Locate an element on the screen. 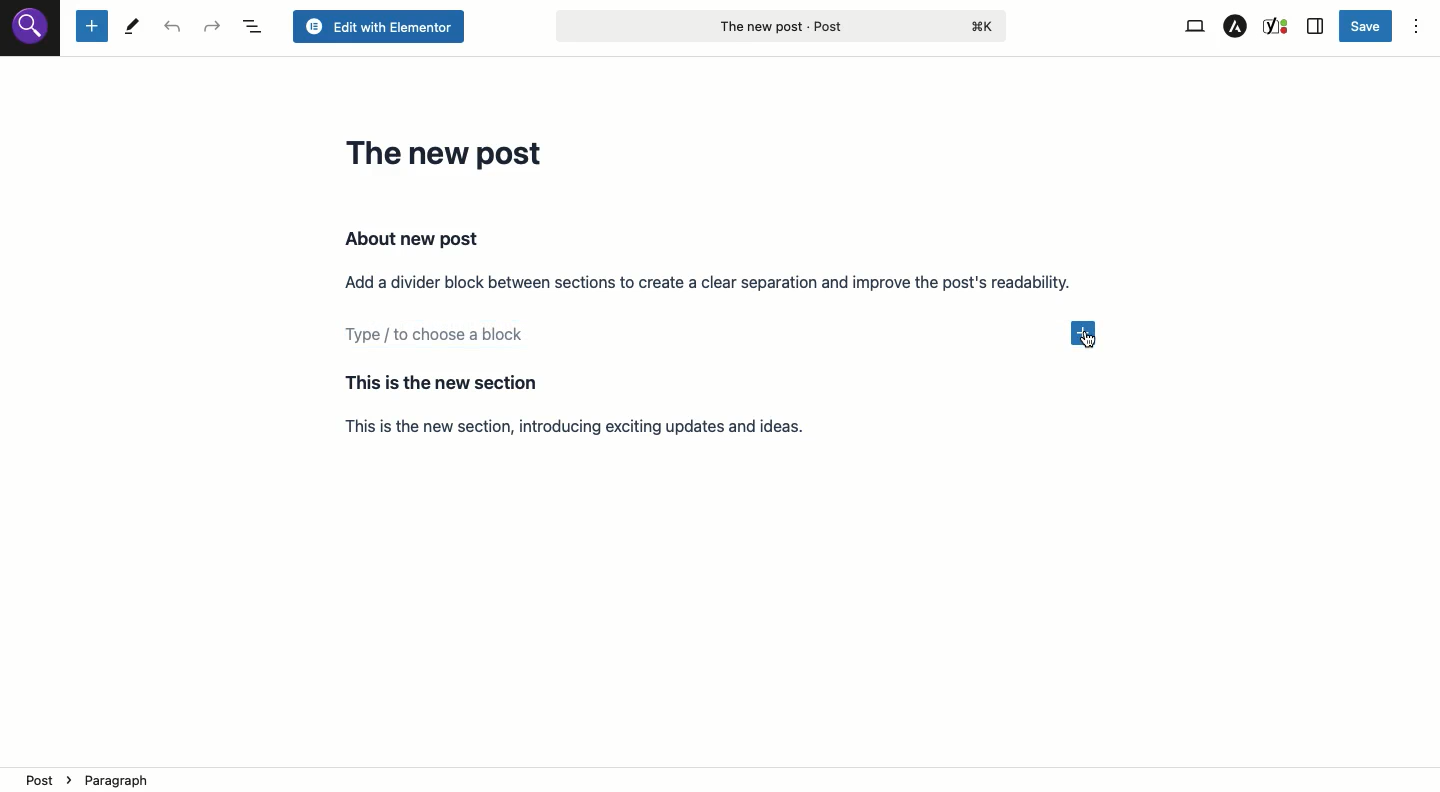 The image size is (1440, 792). Yoast is located at coordinates (1277, 25).